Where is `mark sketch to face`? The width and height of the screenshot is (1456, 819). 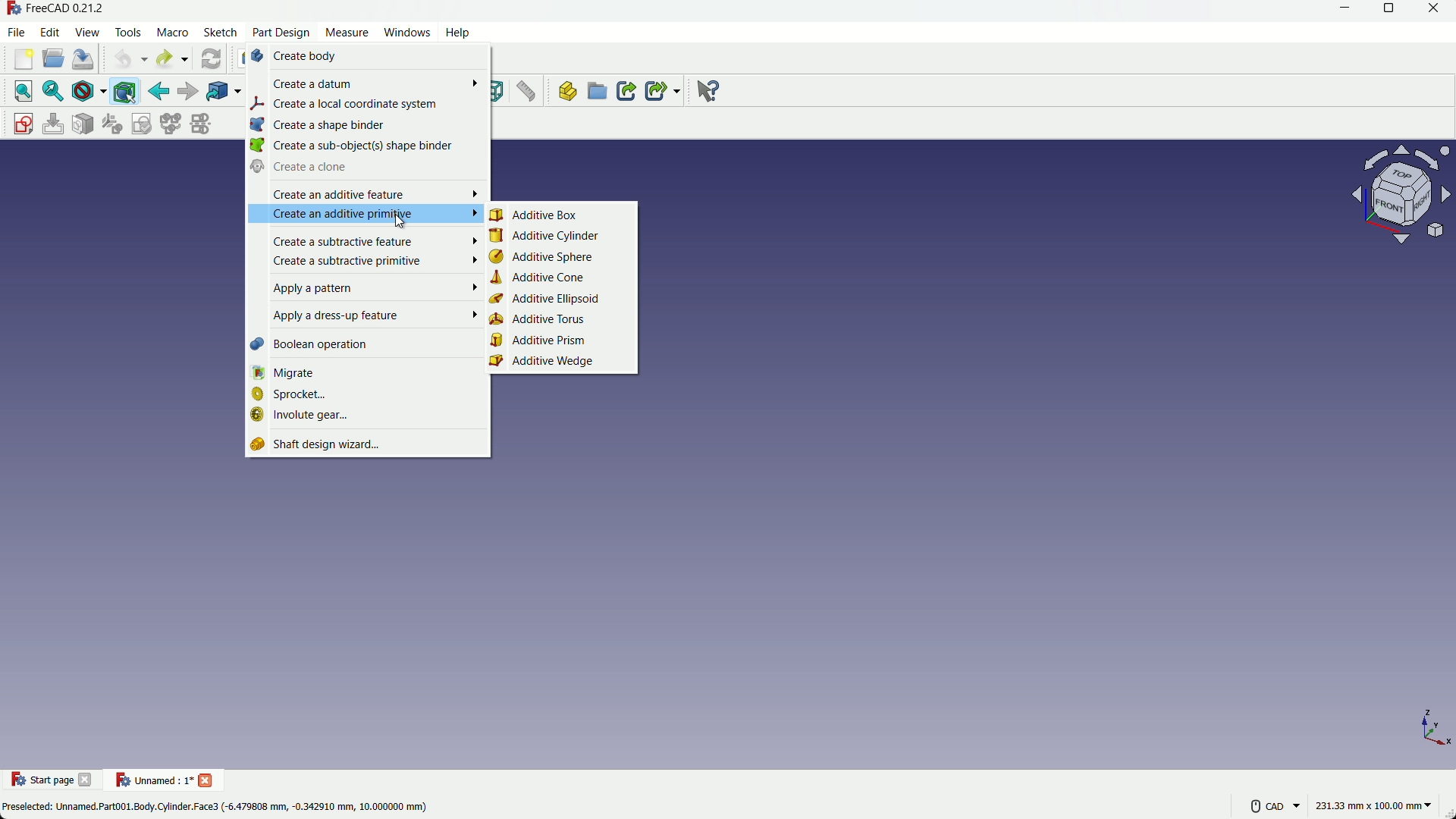
mark sketch to face is located at coordinates (83, 124).